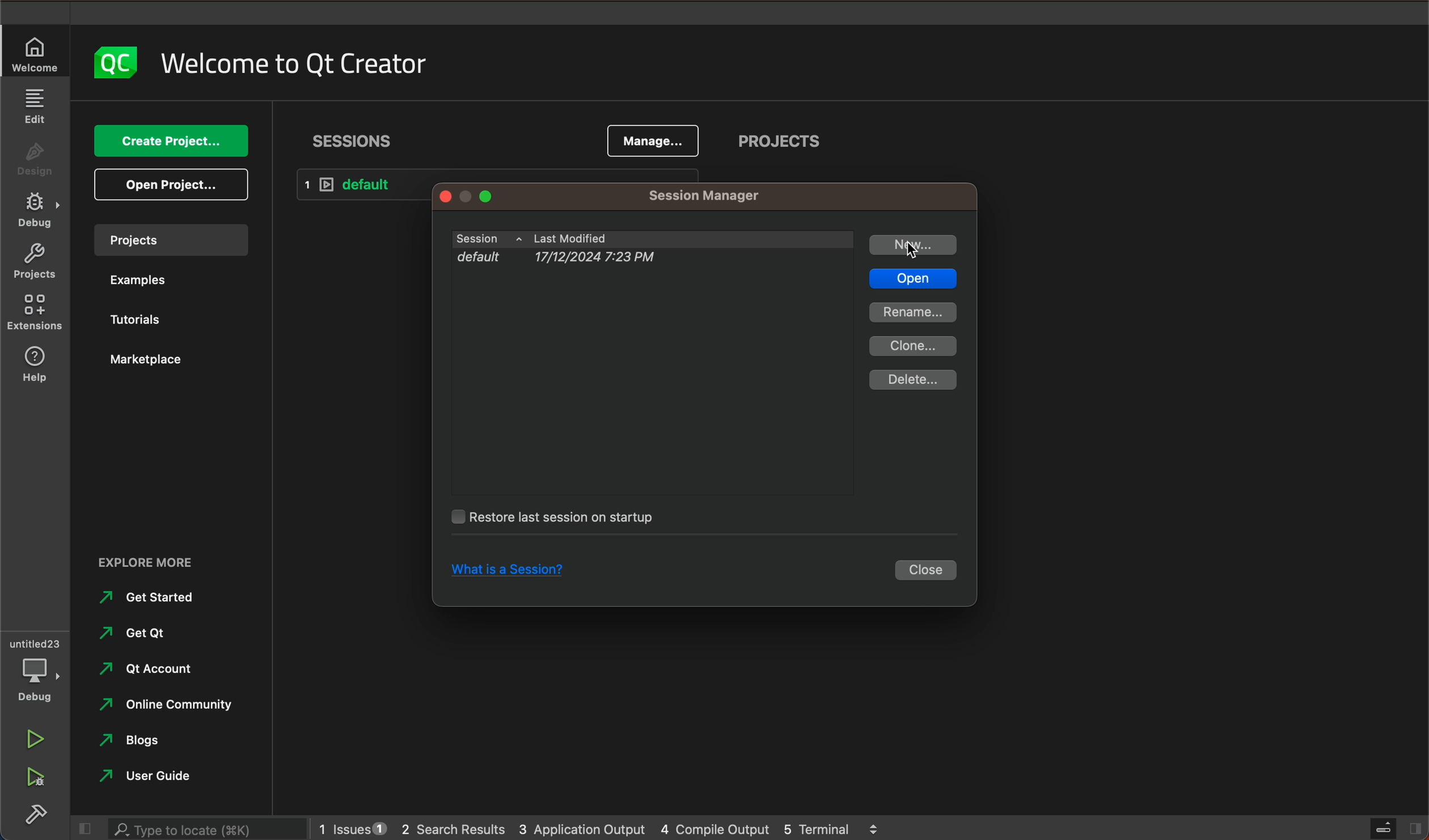  Describe the element at coordinates (911, 279) in the screenshot. I see `open` at that location.